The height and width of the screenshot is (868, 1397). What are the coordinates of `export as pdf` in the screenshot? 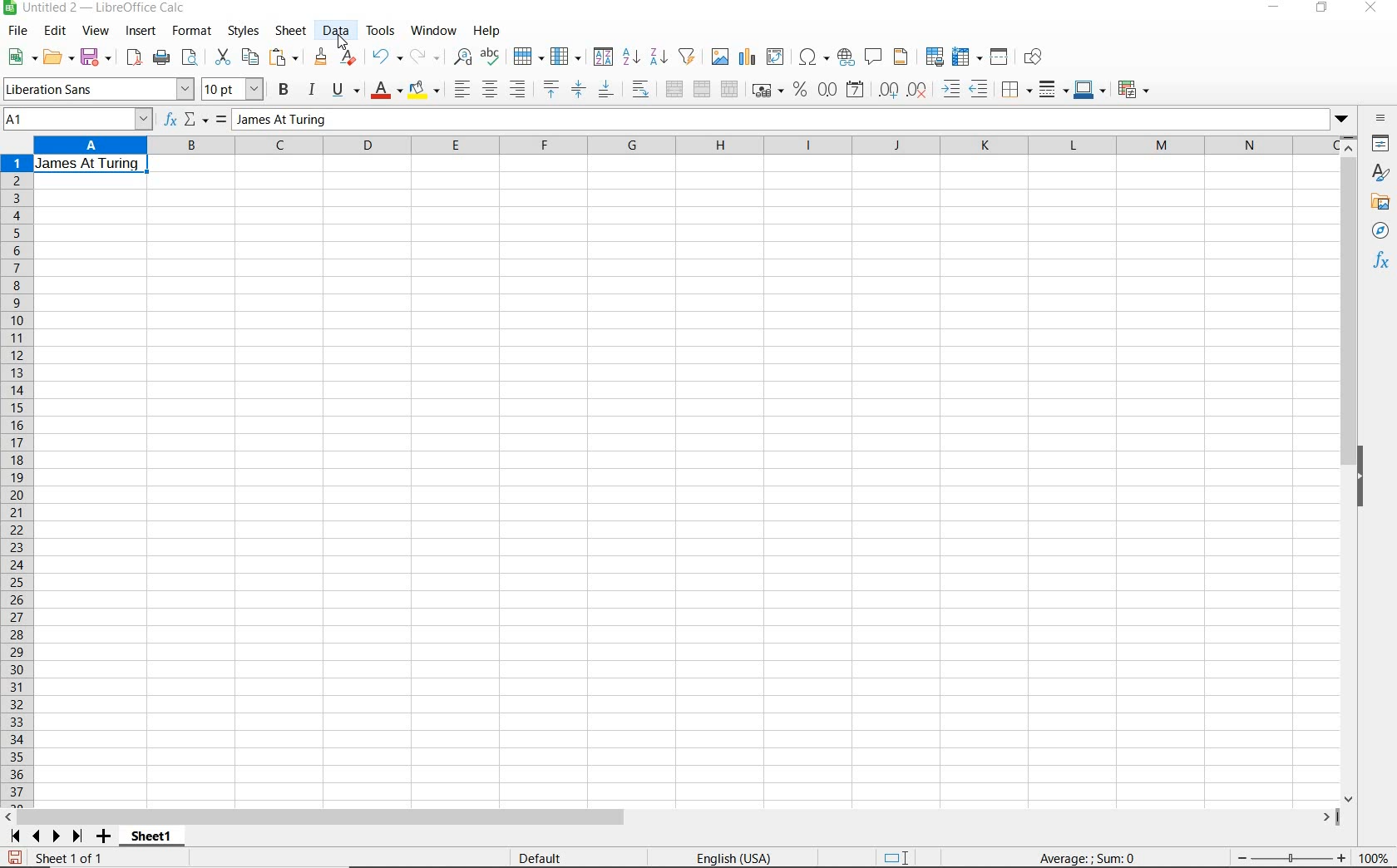 It's located at (132, 57).